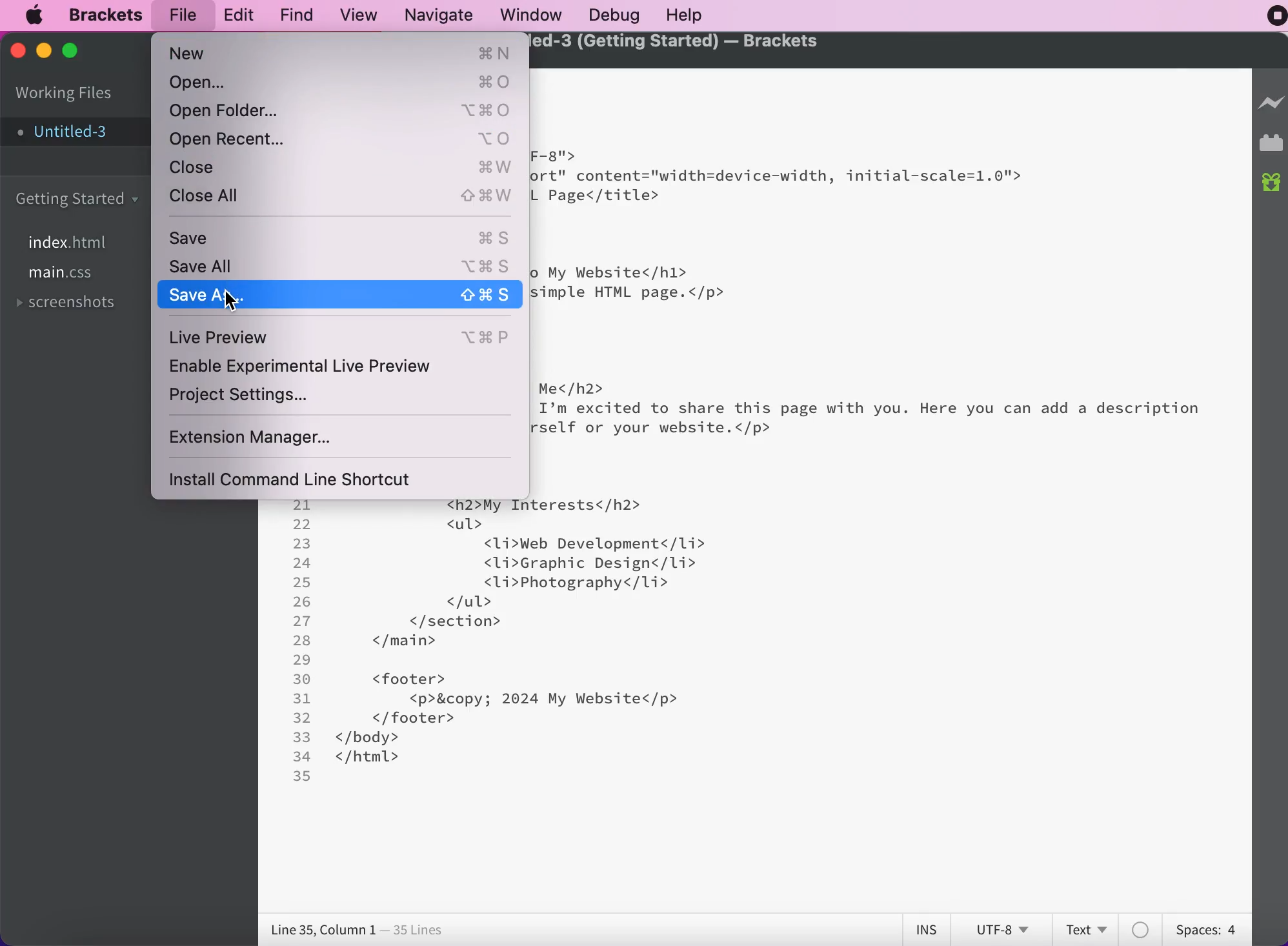  What do you see at coordinates (302, 543) in the screenshot?
I see `23` at bounding box center [302, 543].